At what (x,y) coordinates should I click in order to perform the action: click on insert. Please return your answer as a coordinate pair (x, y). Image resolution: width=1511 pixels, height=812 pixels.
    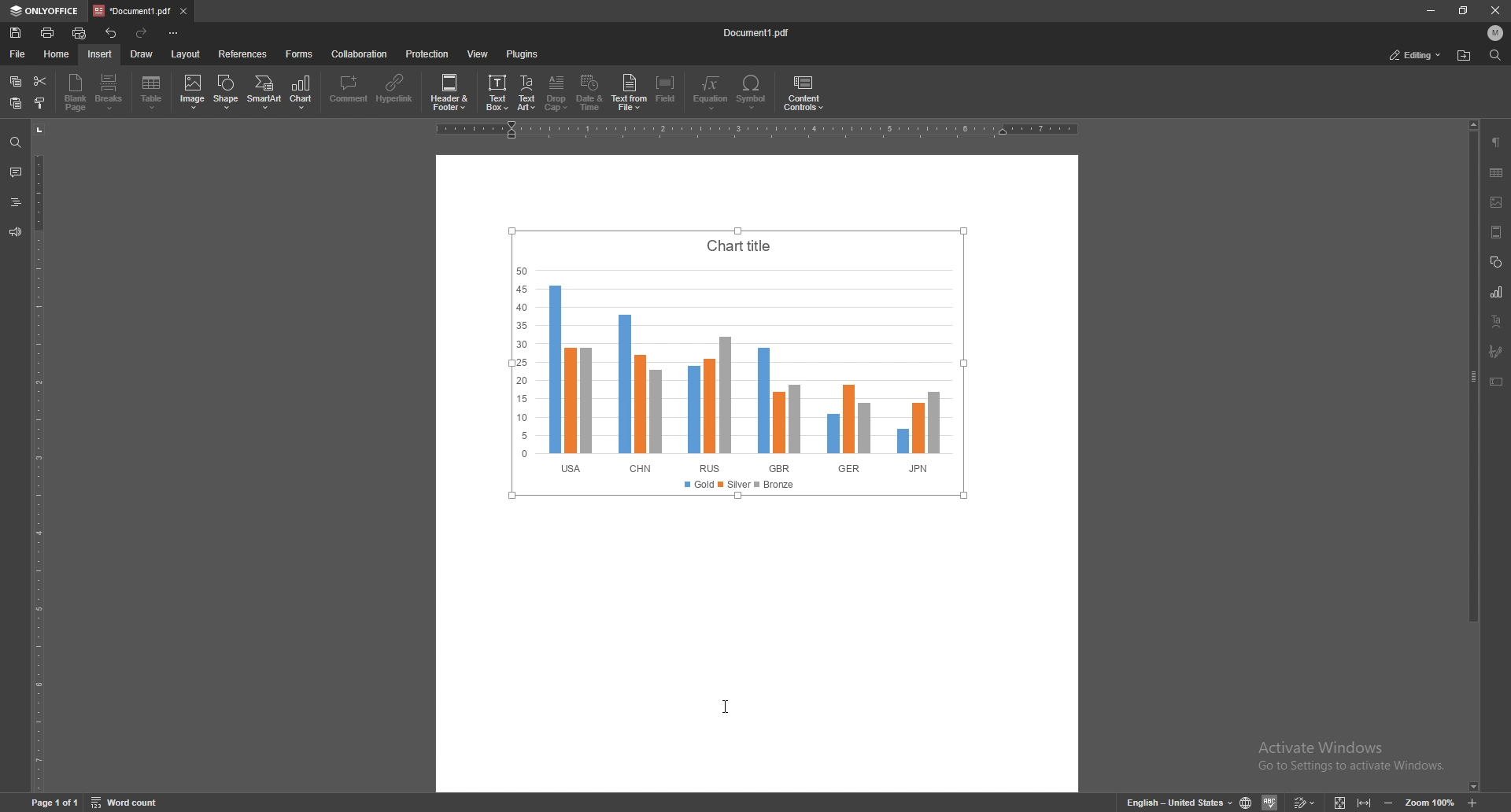
    Looking at the image, I should click on (100, 54).